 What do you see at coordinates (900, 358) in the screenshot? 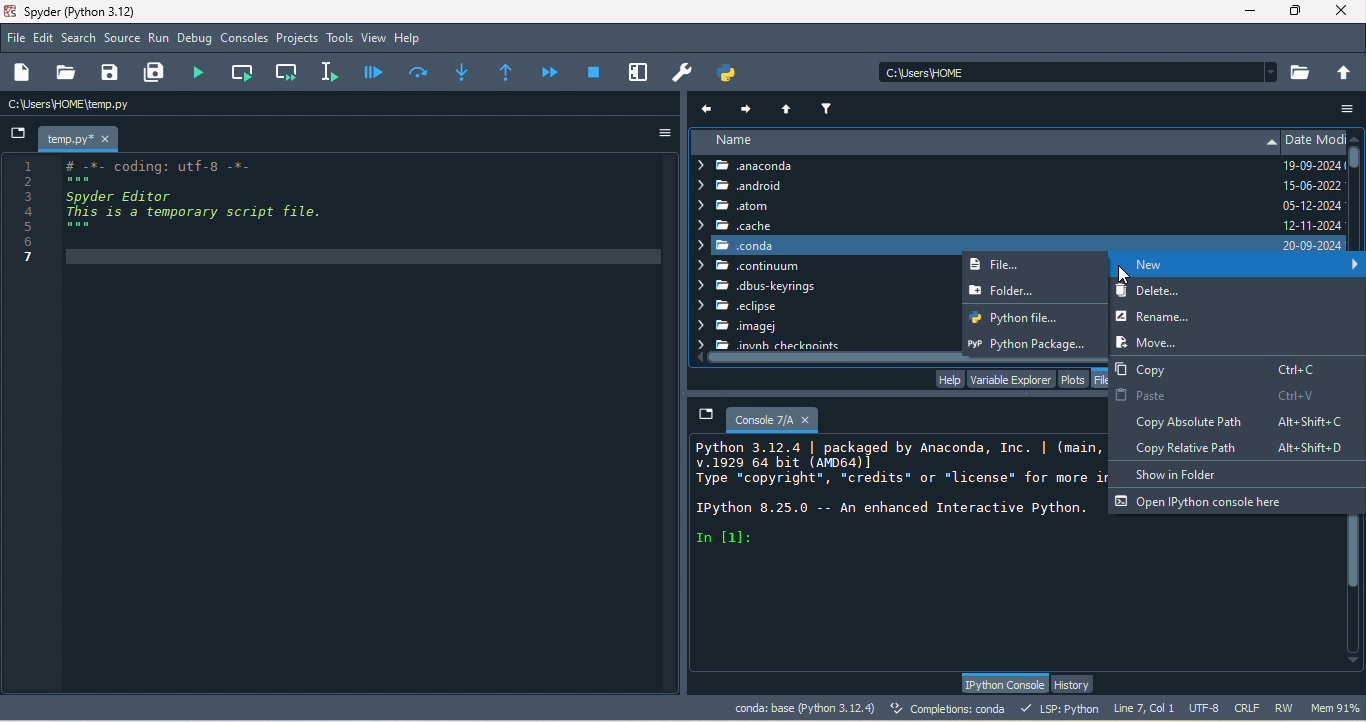
I see `horizontal scroll bar` at bounding box center [900, 358].